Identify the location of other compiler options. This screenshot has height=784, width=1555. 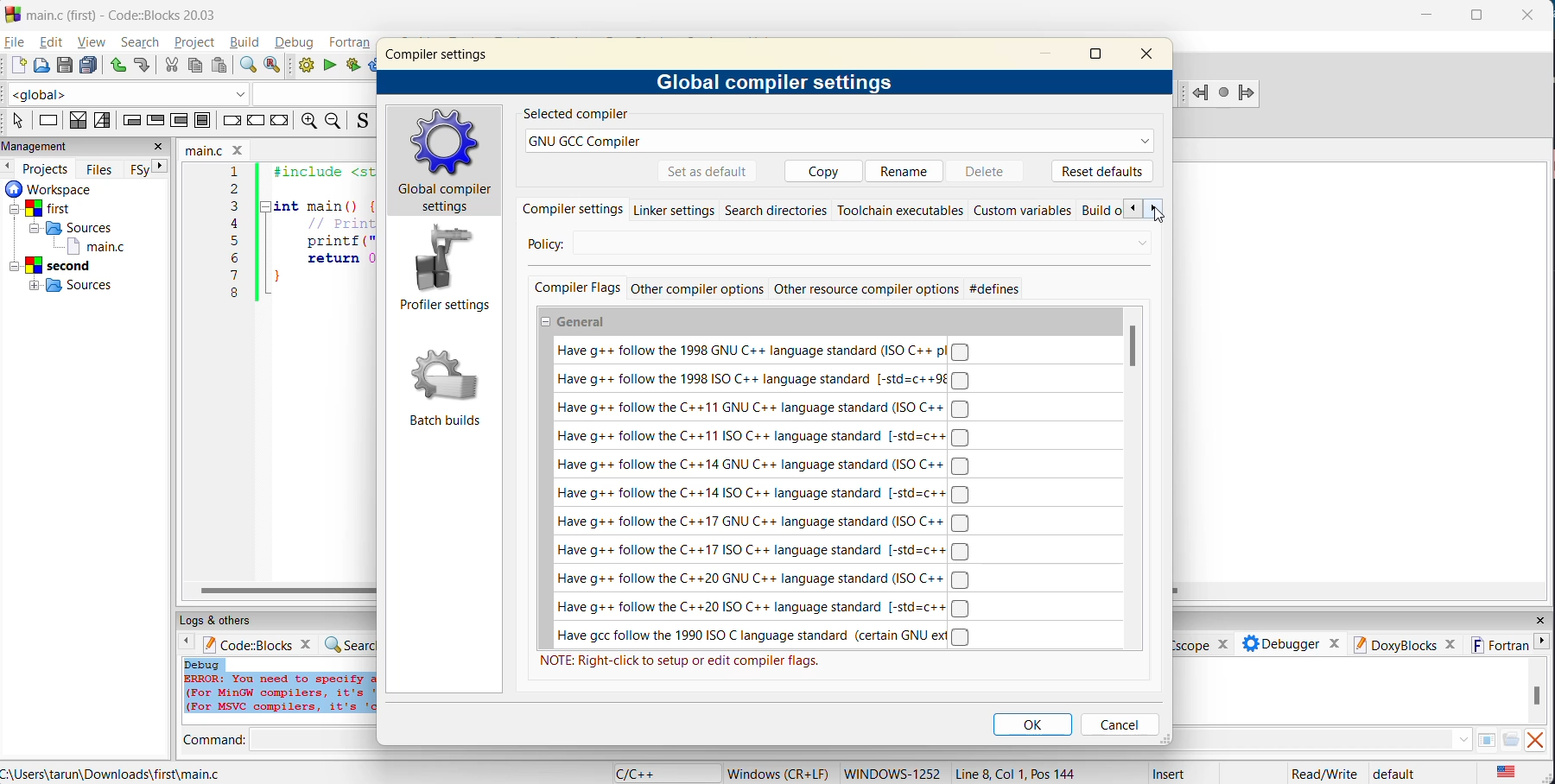
(700, 287).